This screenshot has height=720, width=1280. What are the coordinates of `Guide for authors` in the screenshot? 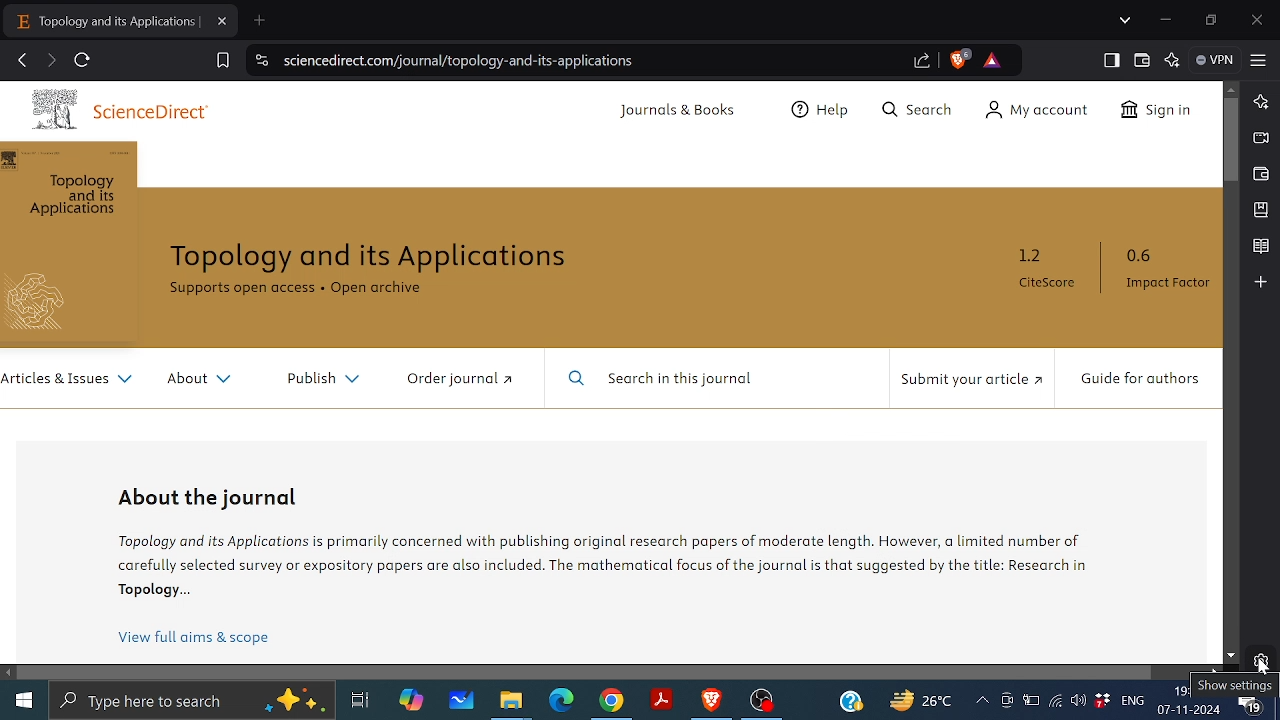 It's located at (1136, 379).